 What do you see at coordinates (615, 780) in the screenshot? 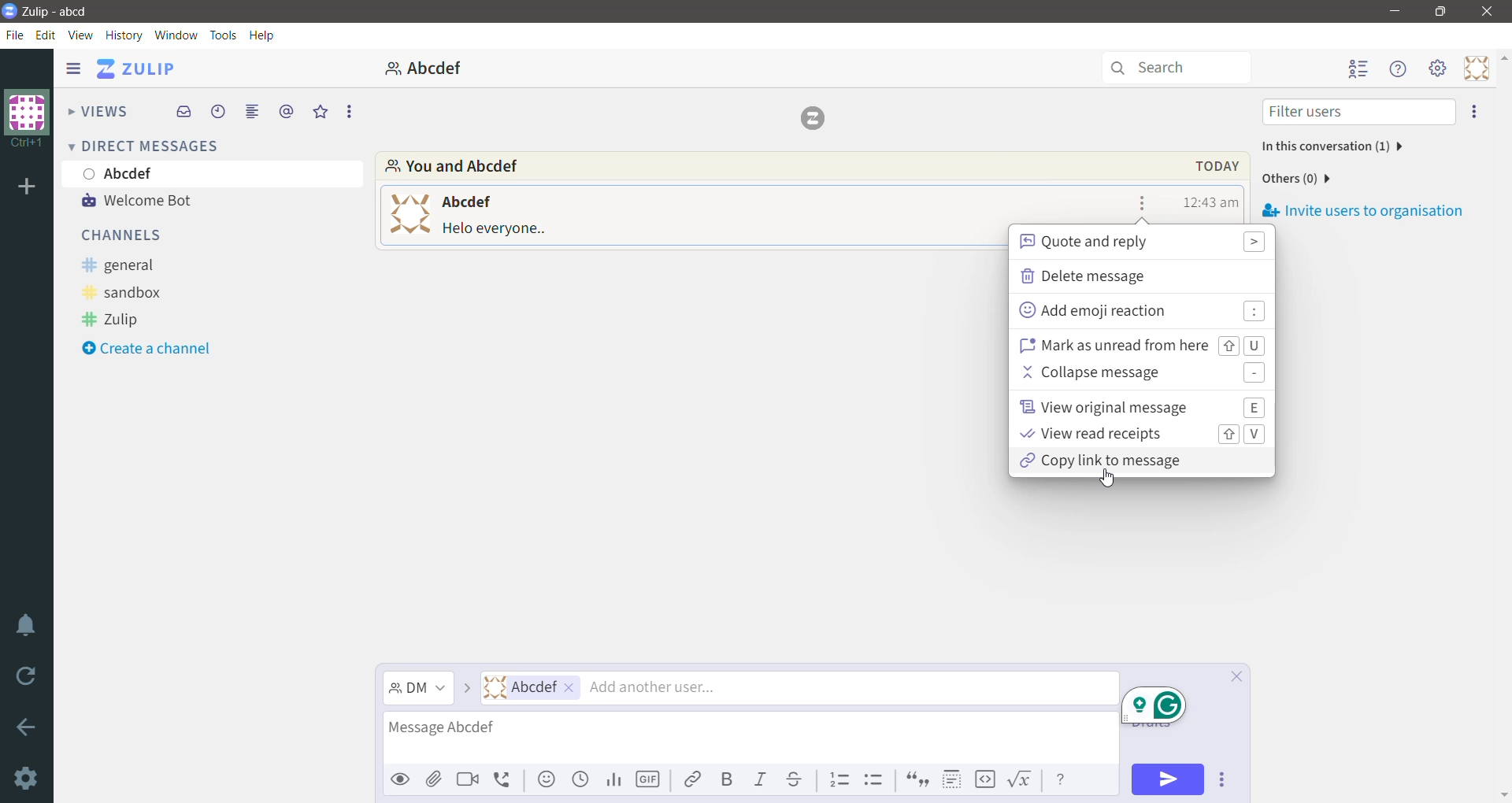
I see `Add Poll` at bounding box center [615, 780].